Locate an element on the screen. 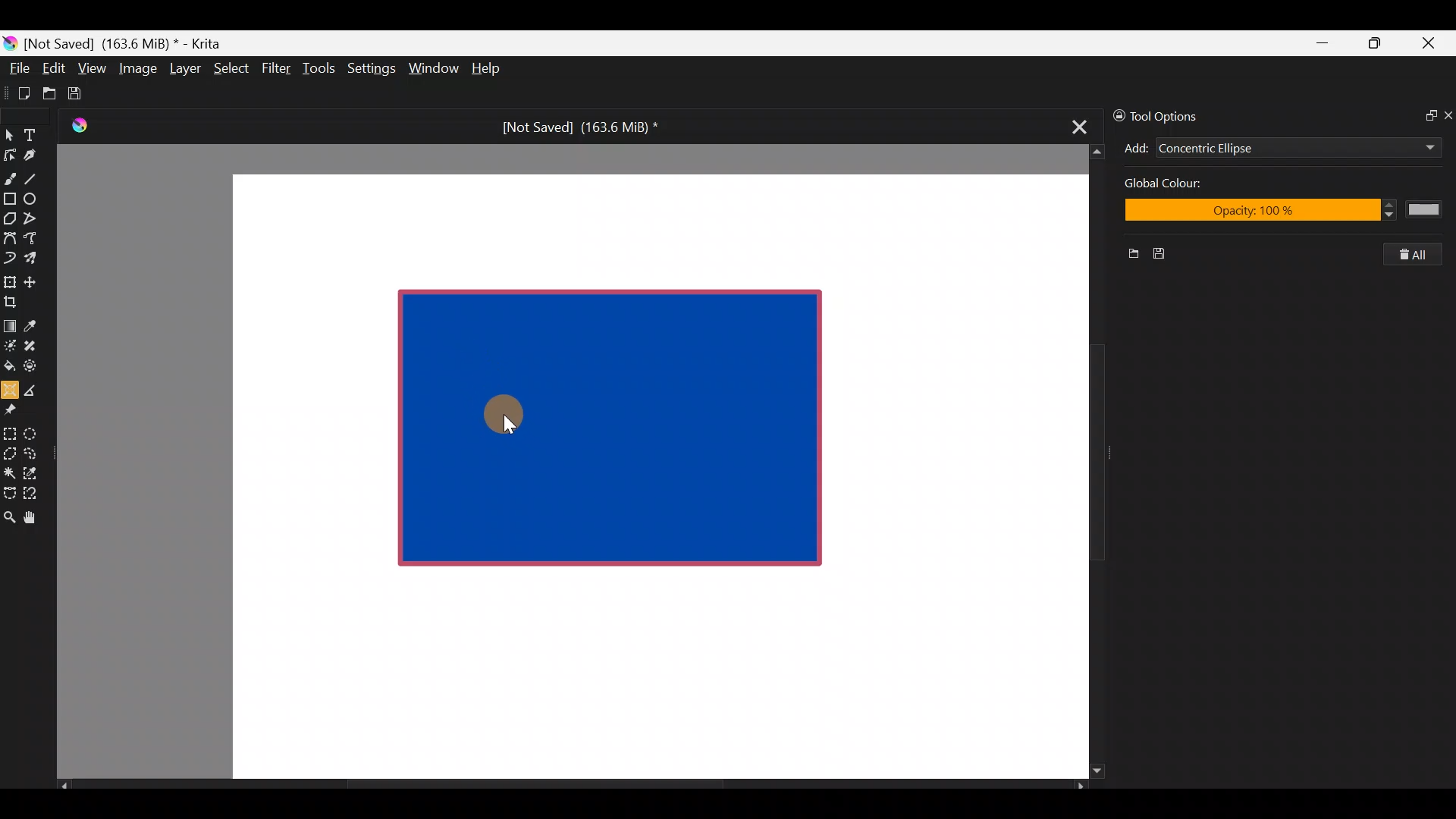 This screenshot has width=1456, height=819. Save is located at coordinates (85, 93).